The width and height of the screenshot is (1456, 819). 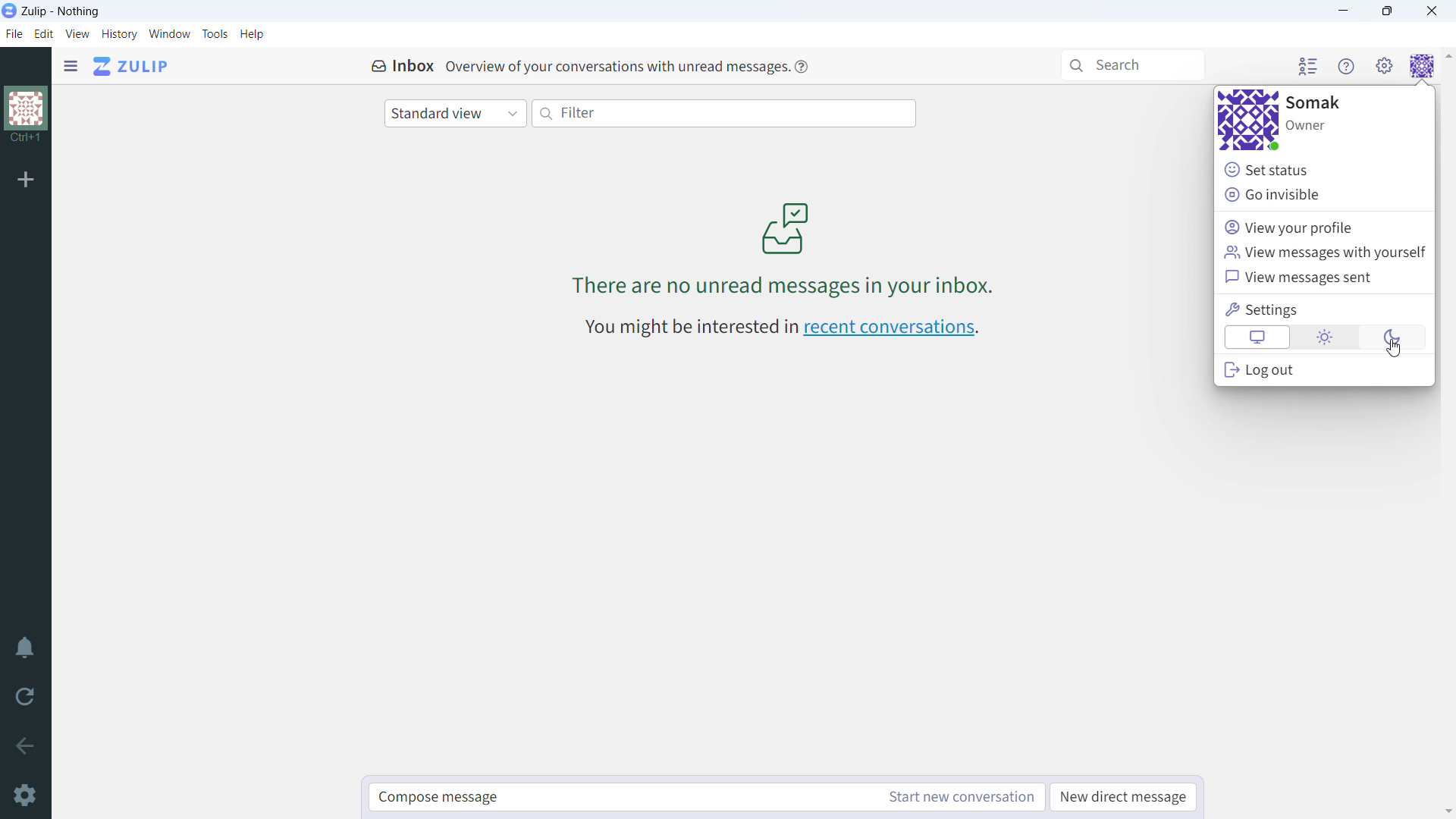 I want to click on personal profile picture, so click(x=1248, y=120).